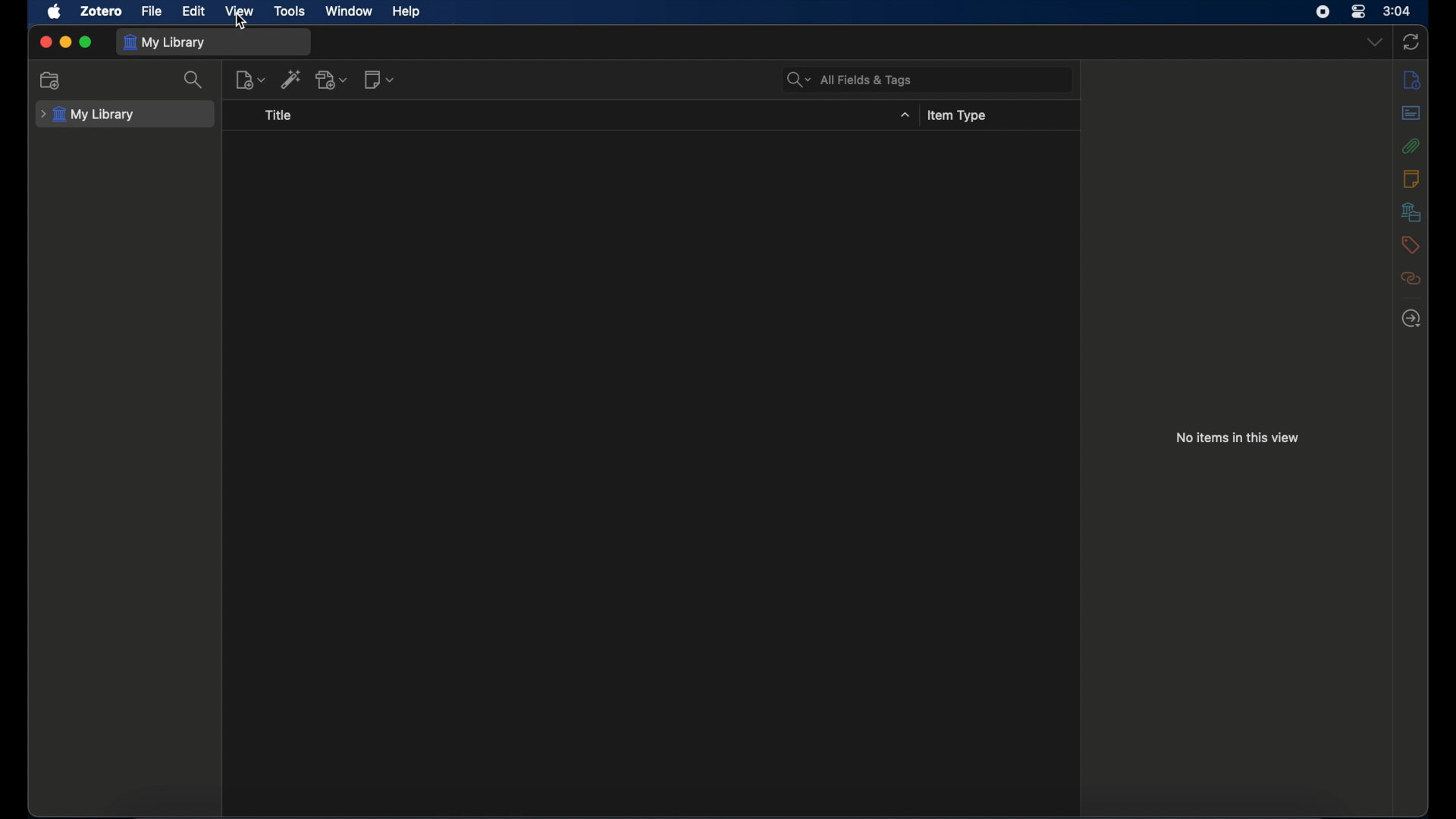 Image resolution: width=1456 pixels, height=819 pixels. I want to click on items type, so click(957, 115).